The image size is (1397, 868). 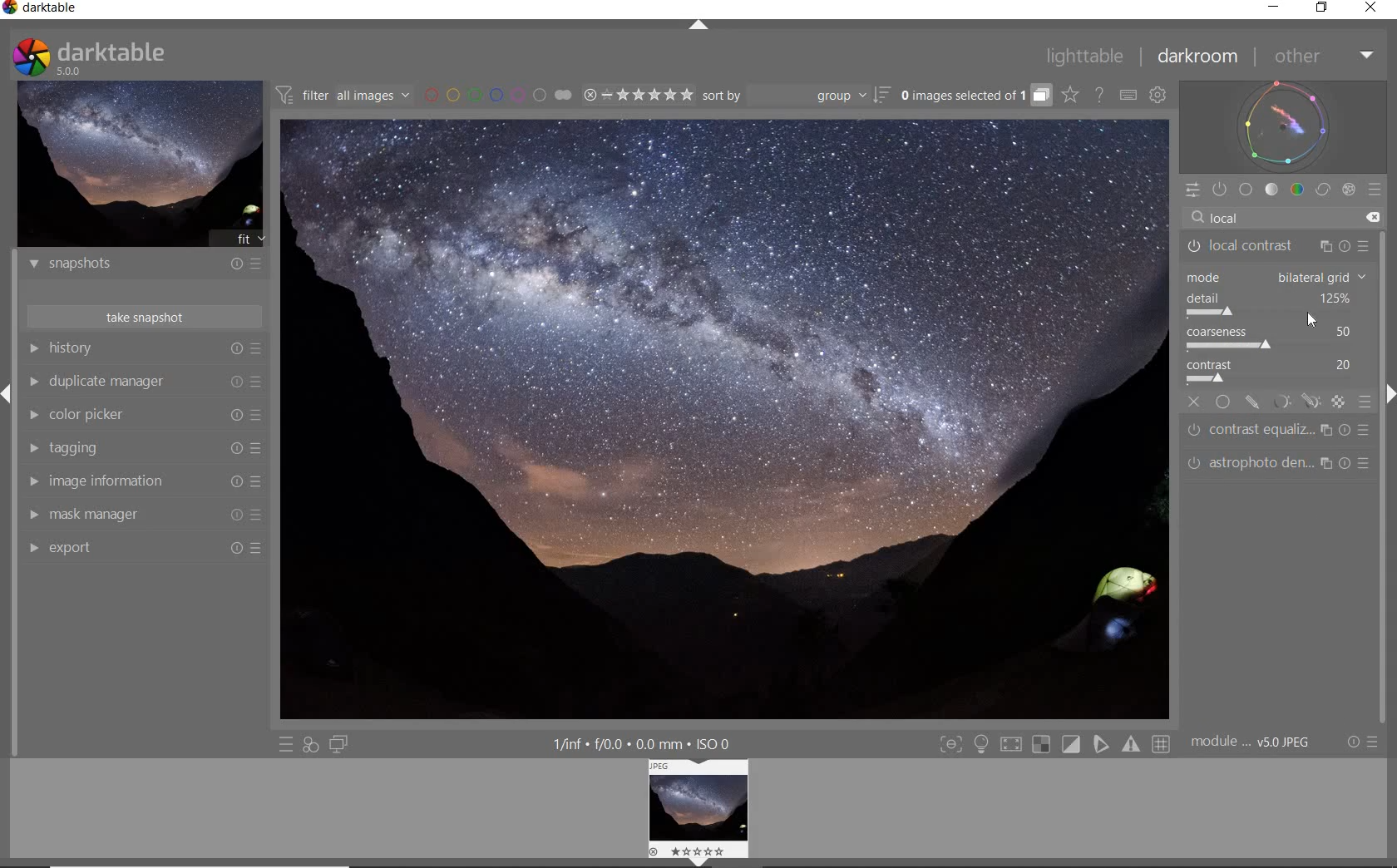 What do you see at coordinates (1246, 189) in the screenshot?
I see `BASE` at bounding box center [1246, 189].